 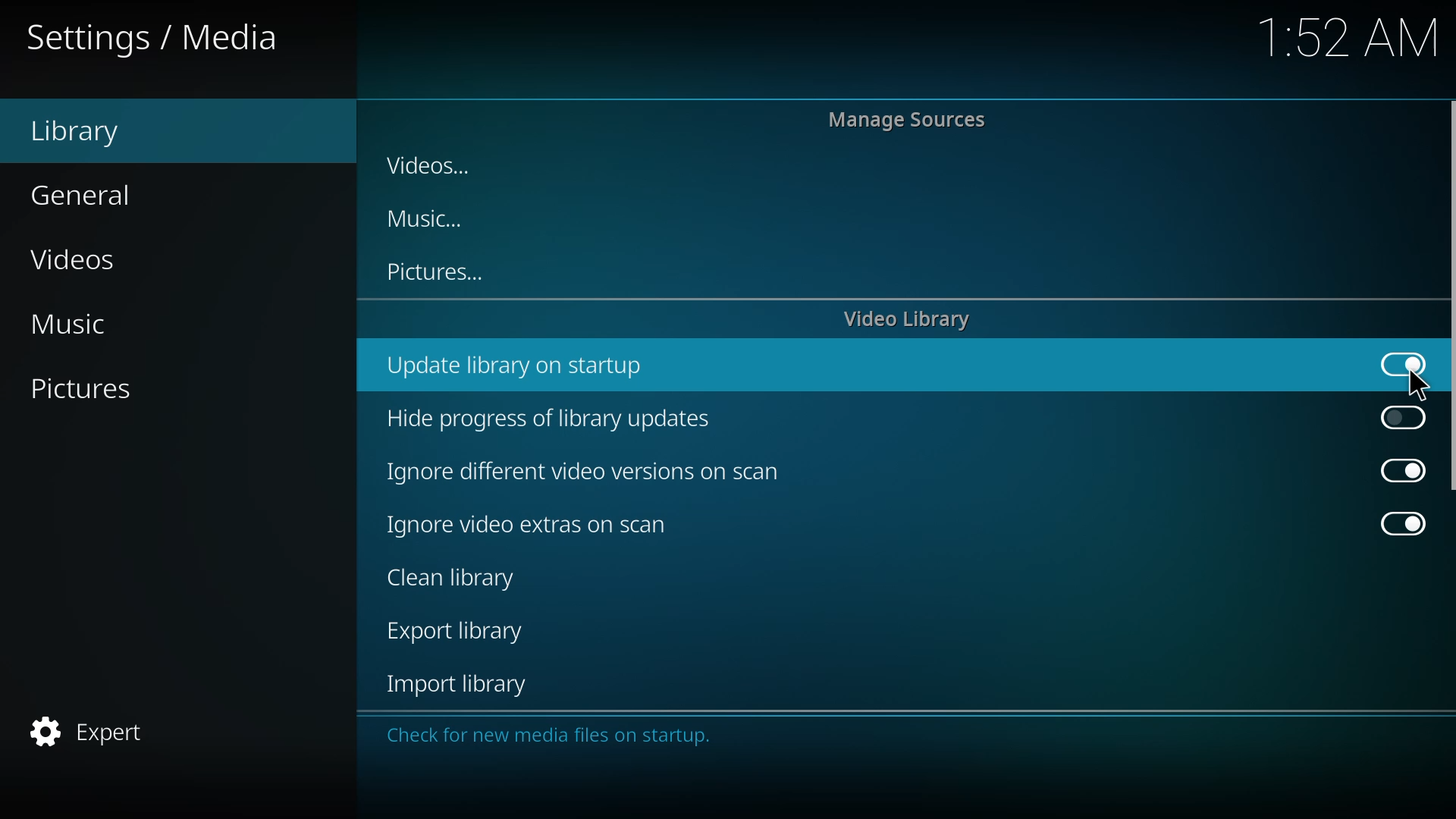 I want to click on pictures, so click(x=89, y=391).